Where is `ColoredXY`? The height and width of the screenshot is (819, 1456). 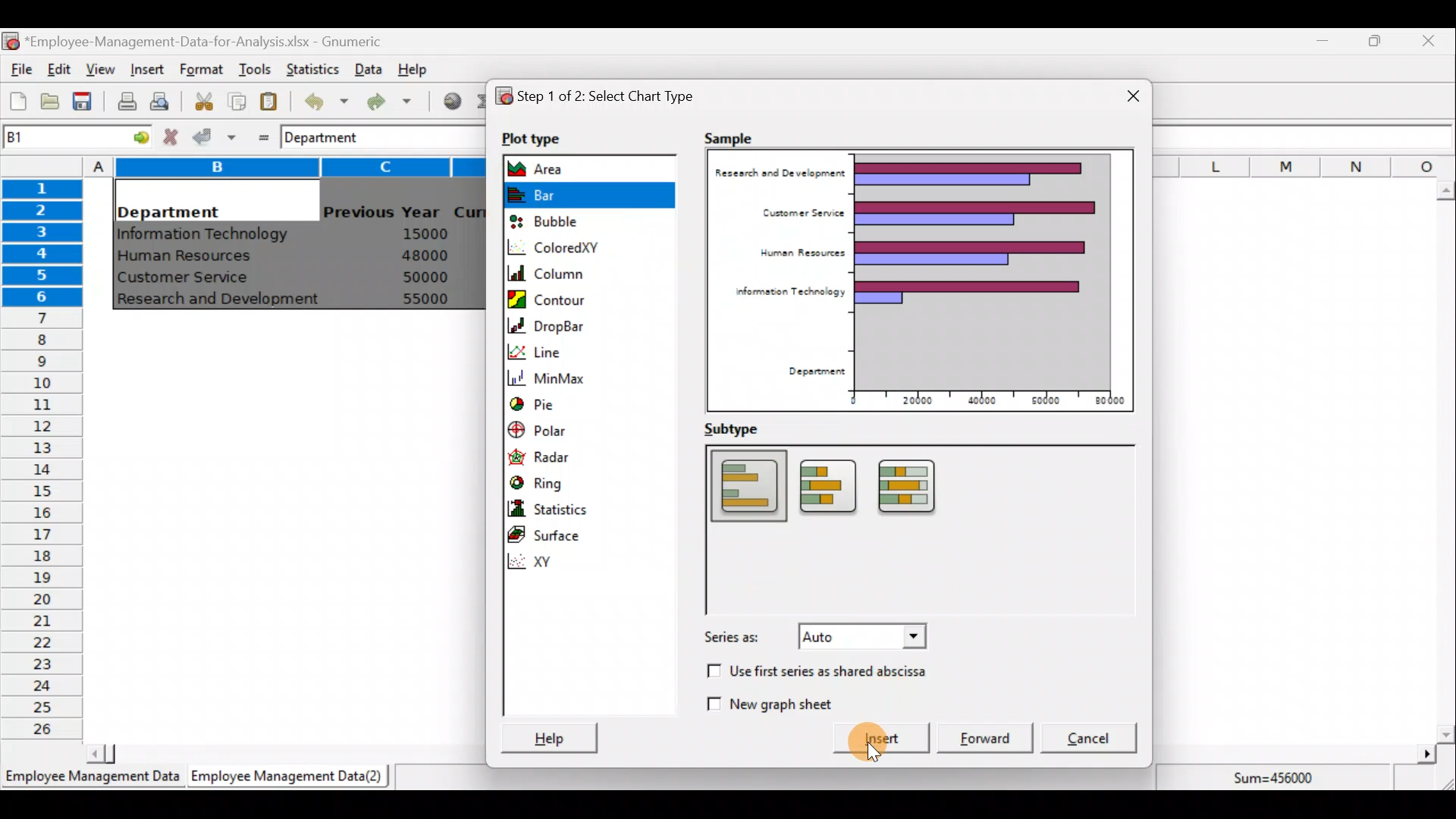
ColoredXY is located at coordinates (581, 246).